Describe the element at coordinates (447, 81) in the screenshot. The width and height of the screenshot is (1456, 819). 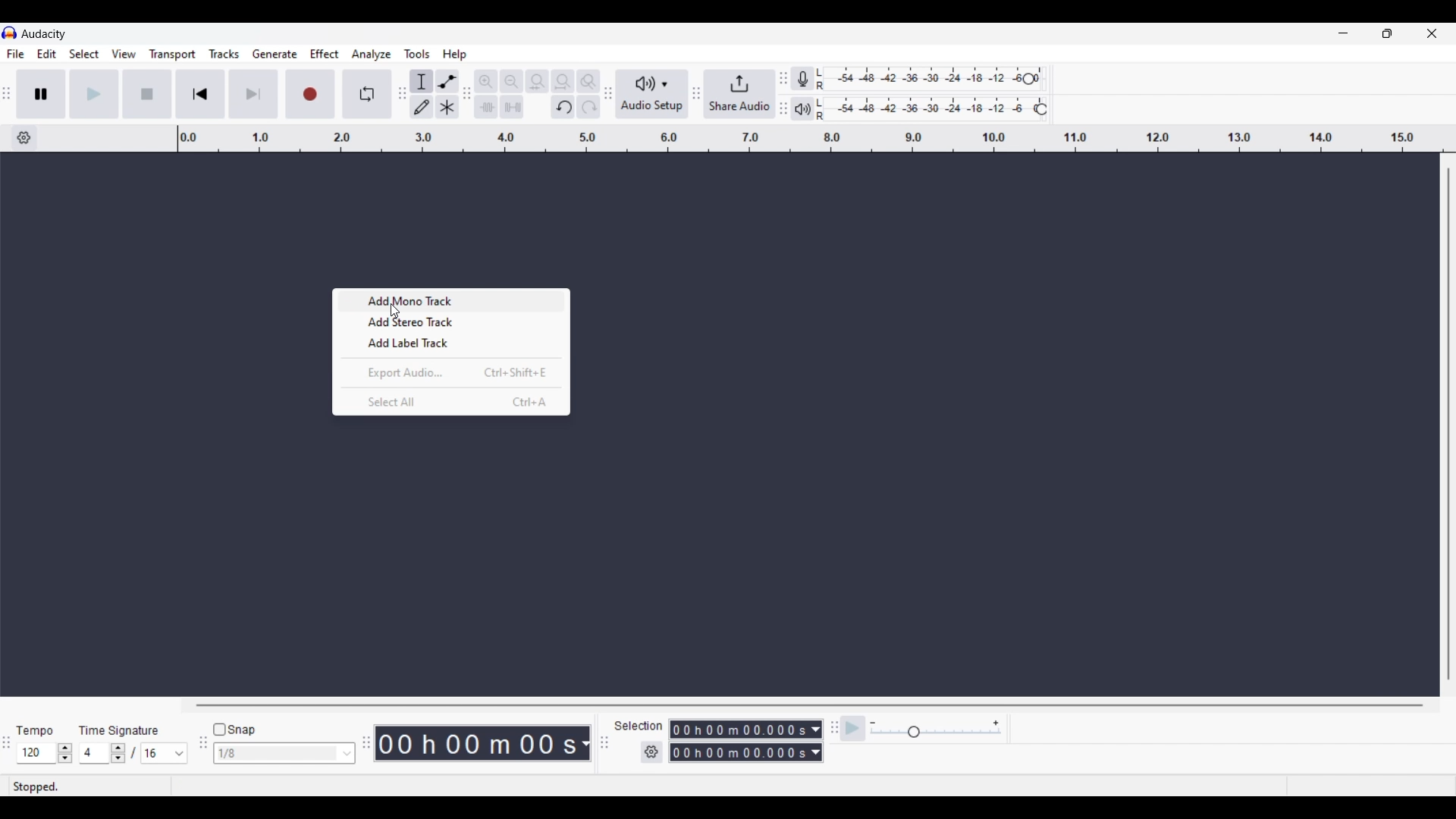
I see `Envelop tool` at that location.